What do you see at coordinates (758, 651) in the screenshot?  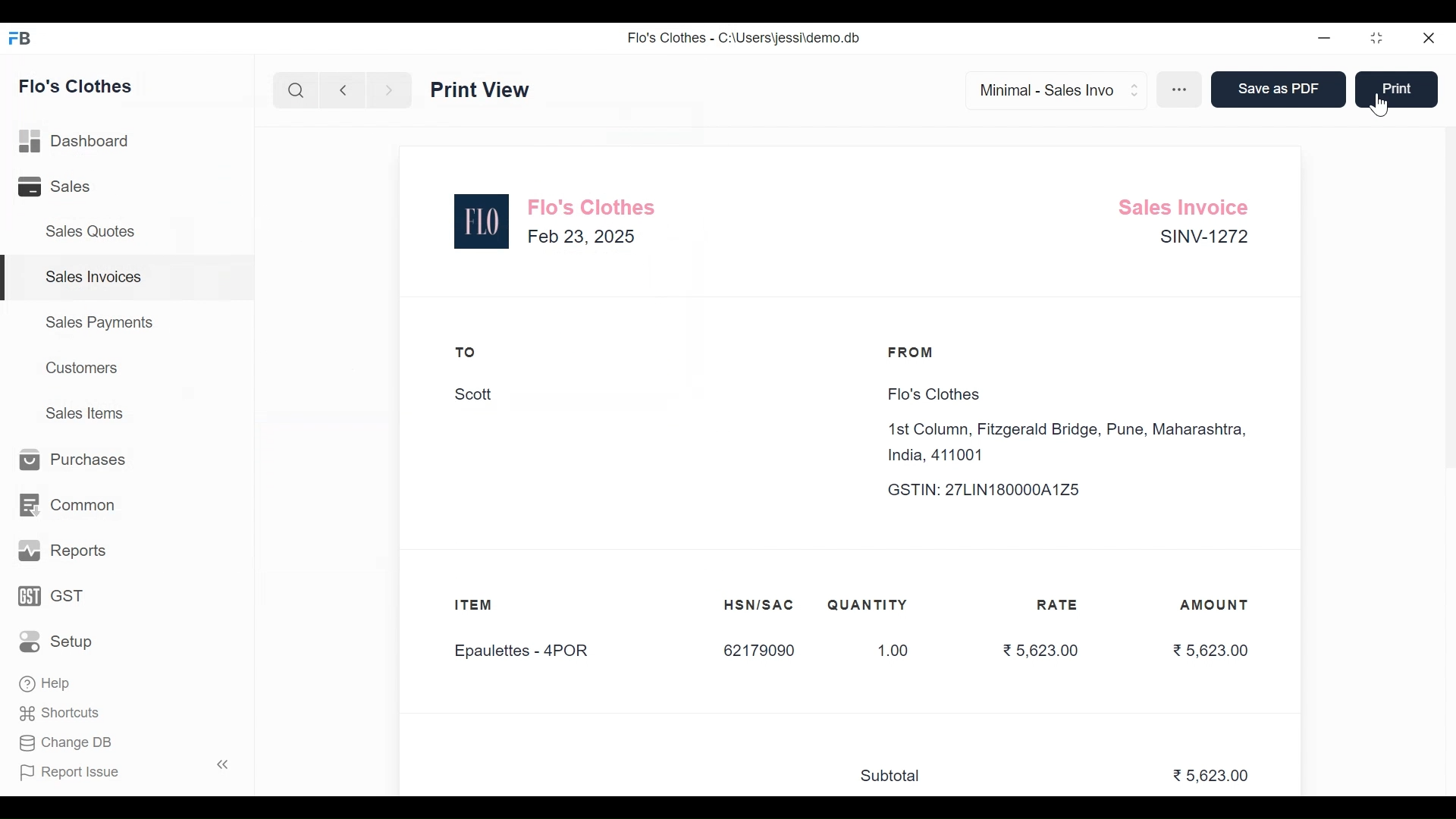 I see `62179090` at bounding box center [758, 651].